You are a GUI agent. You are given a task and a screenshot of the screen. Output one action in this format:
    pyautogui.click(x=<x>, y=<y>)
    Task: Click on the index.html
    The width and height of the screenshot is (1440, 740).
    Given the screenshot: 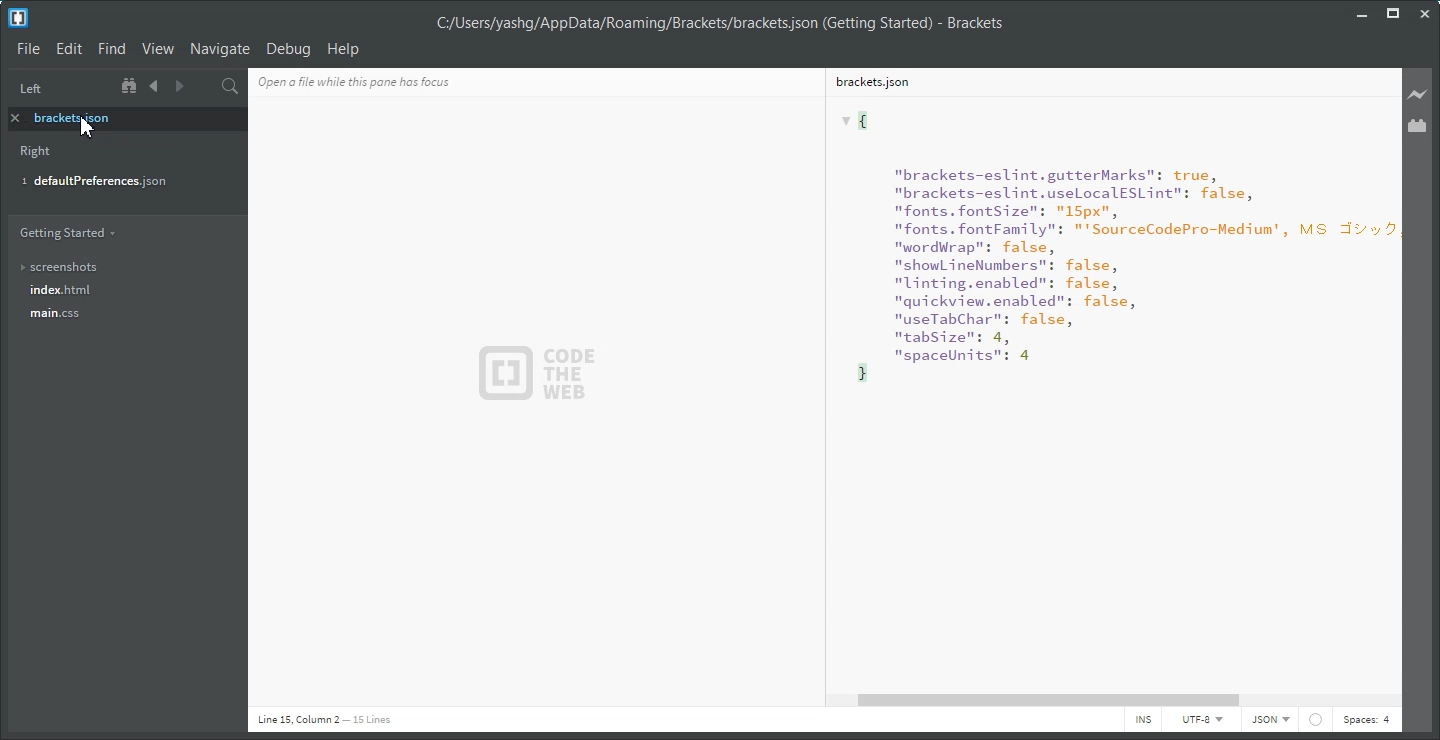 What is the action you would take?
    pyautogui.click(x=124, y=291)
    